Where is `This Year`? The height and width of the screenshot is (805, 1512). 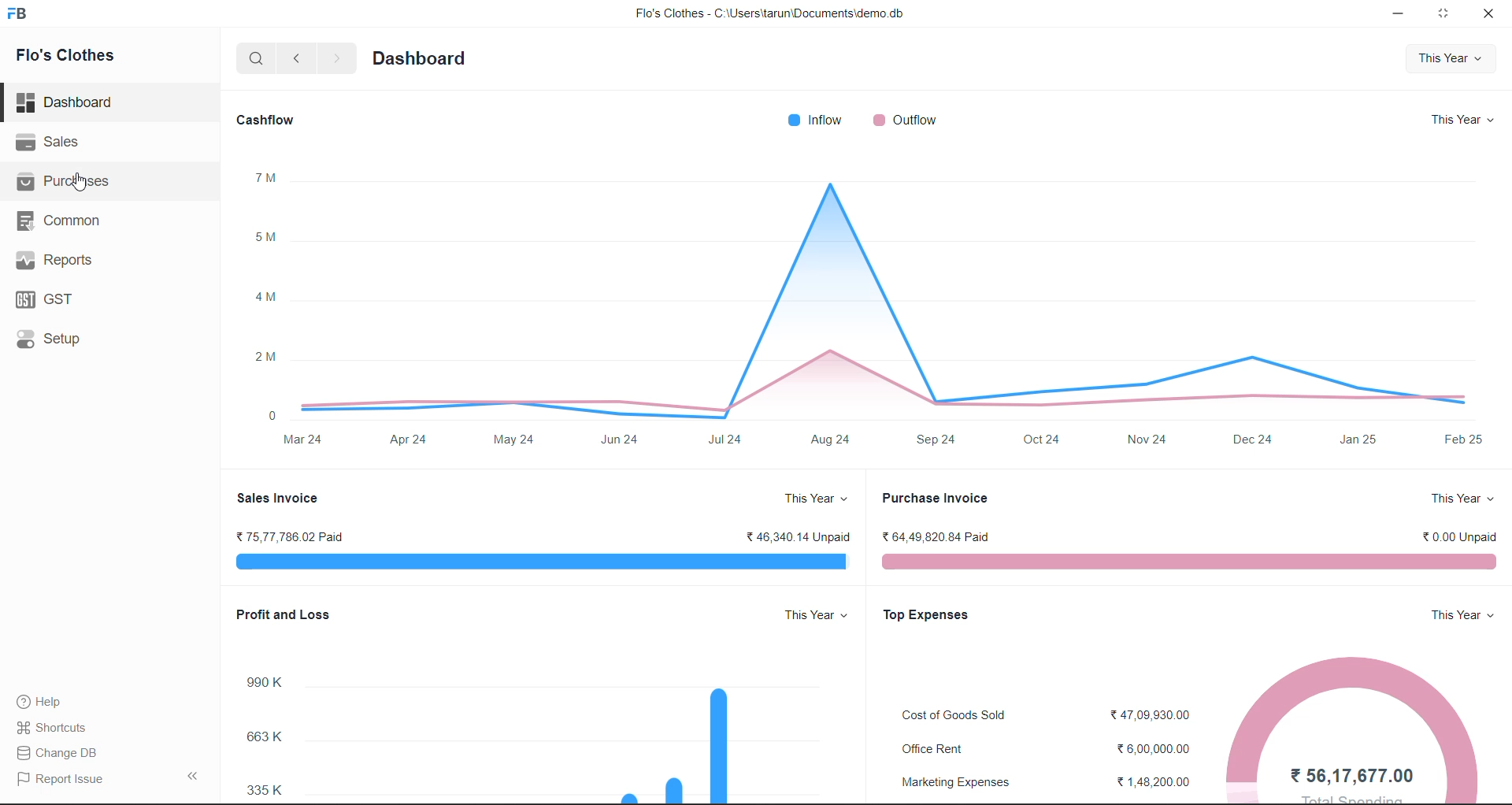 This Year is located at coordinates (812, 498).